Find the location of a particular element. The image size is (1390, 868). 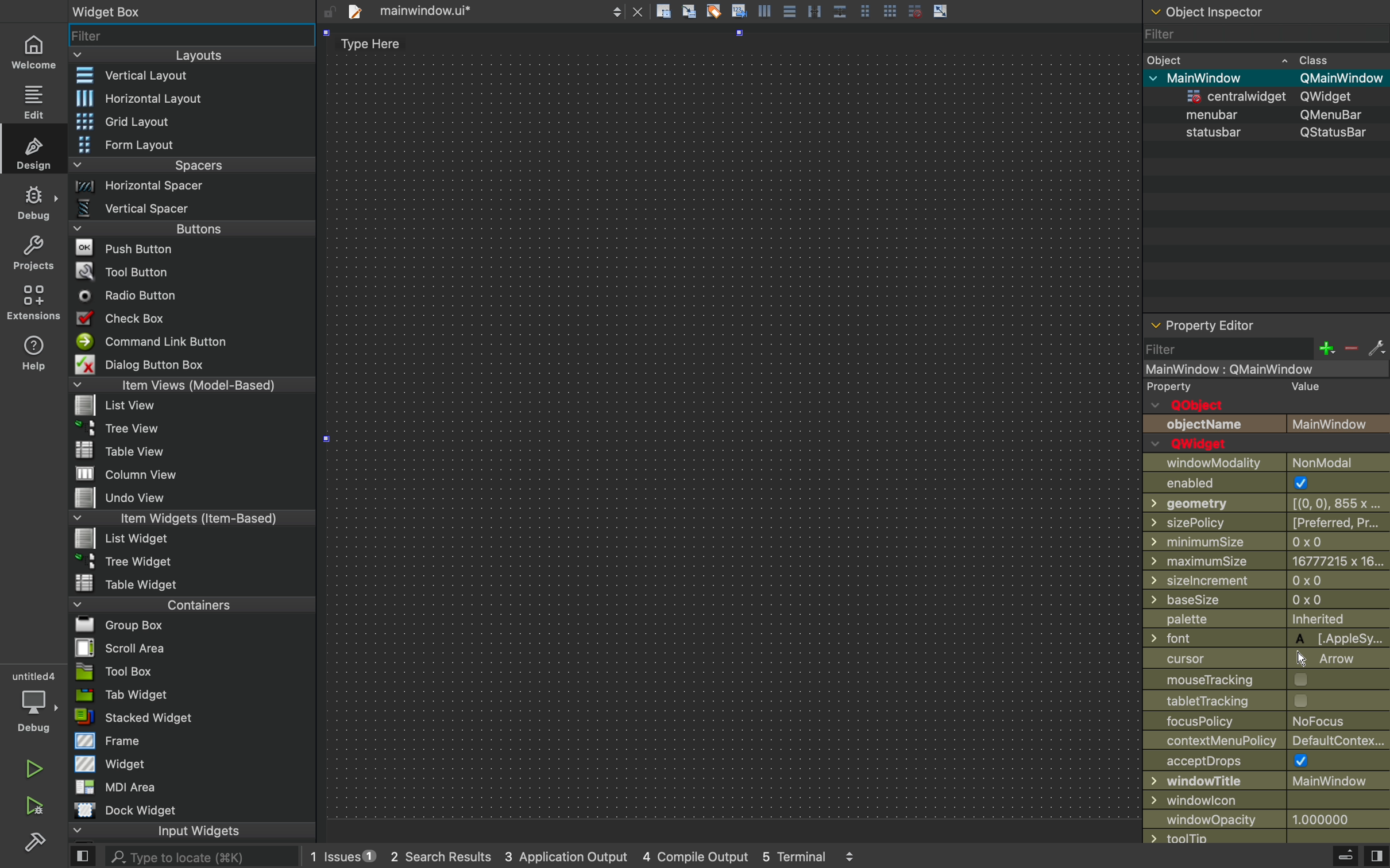

arrow is located at coordinates (942, 10).